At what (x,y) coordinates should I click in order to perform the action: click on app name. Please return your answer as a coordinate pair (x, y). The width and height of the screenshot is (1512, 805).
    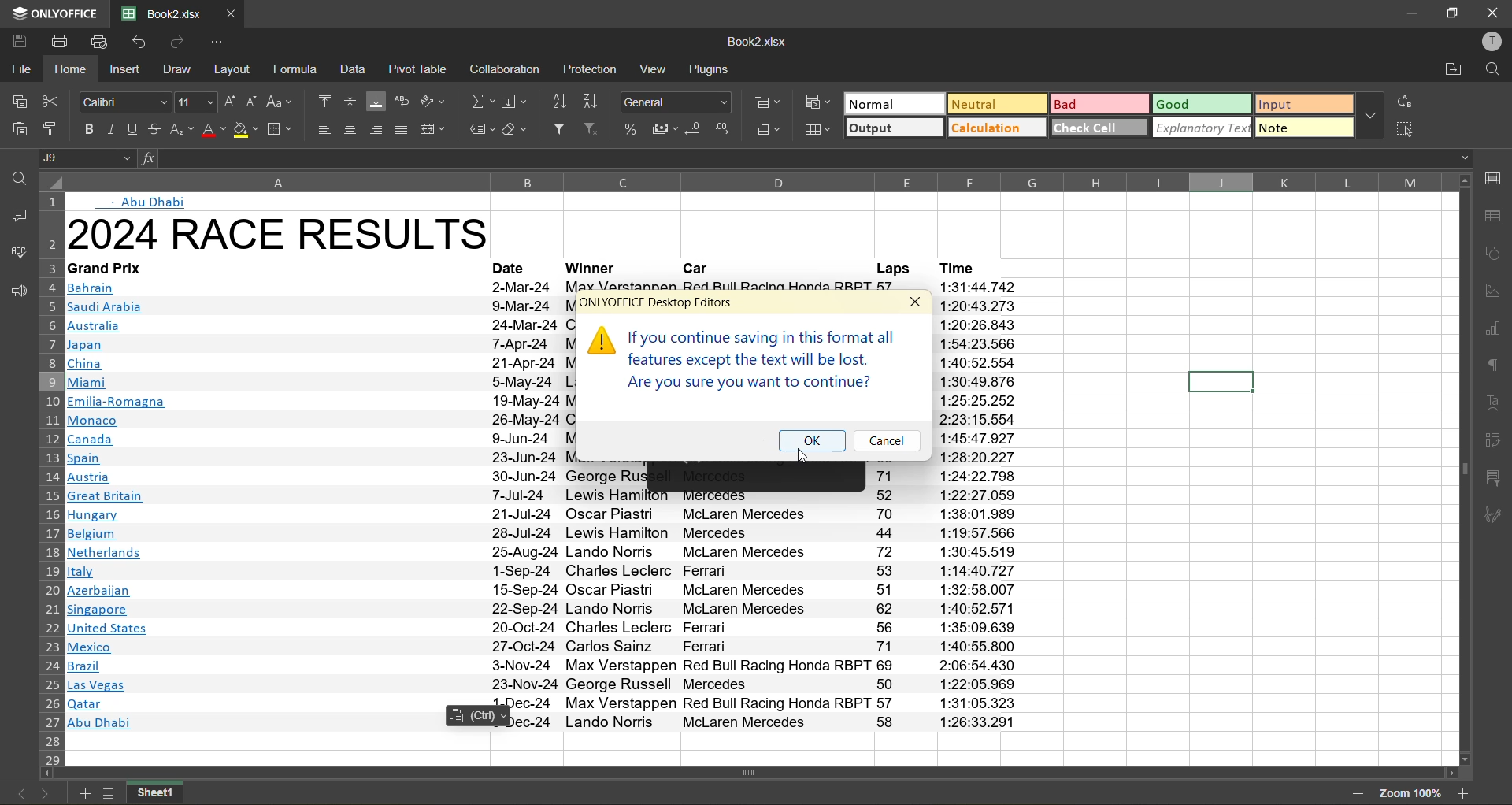
    Looking at the image, I should click on (48, 13).